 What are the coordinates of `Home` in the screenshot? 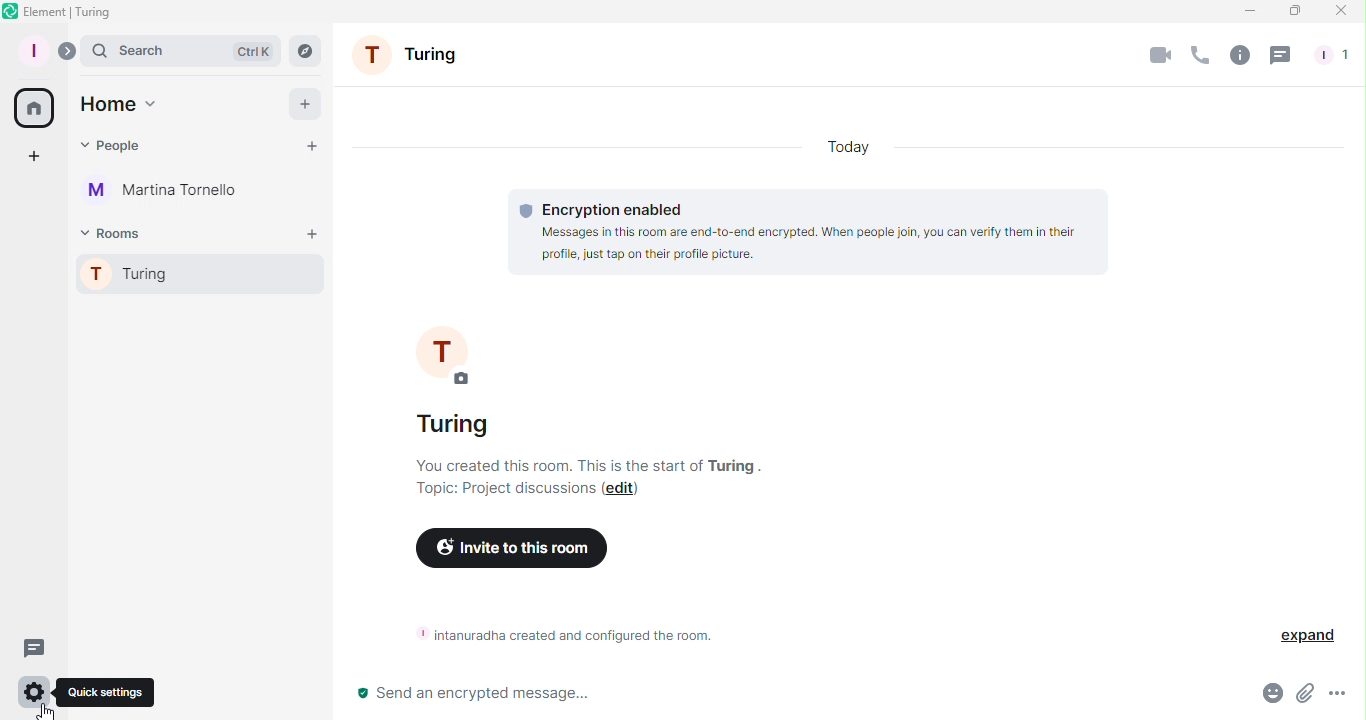 It's located at (117, 104).